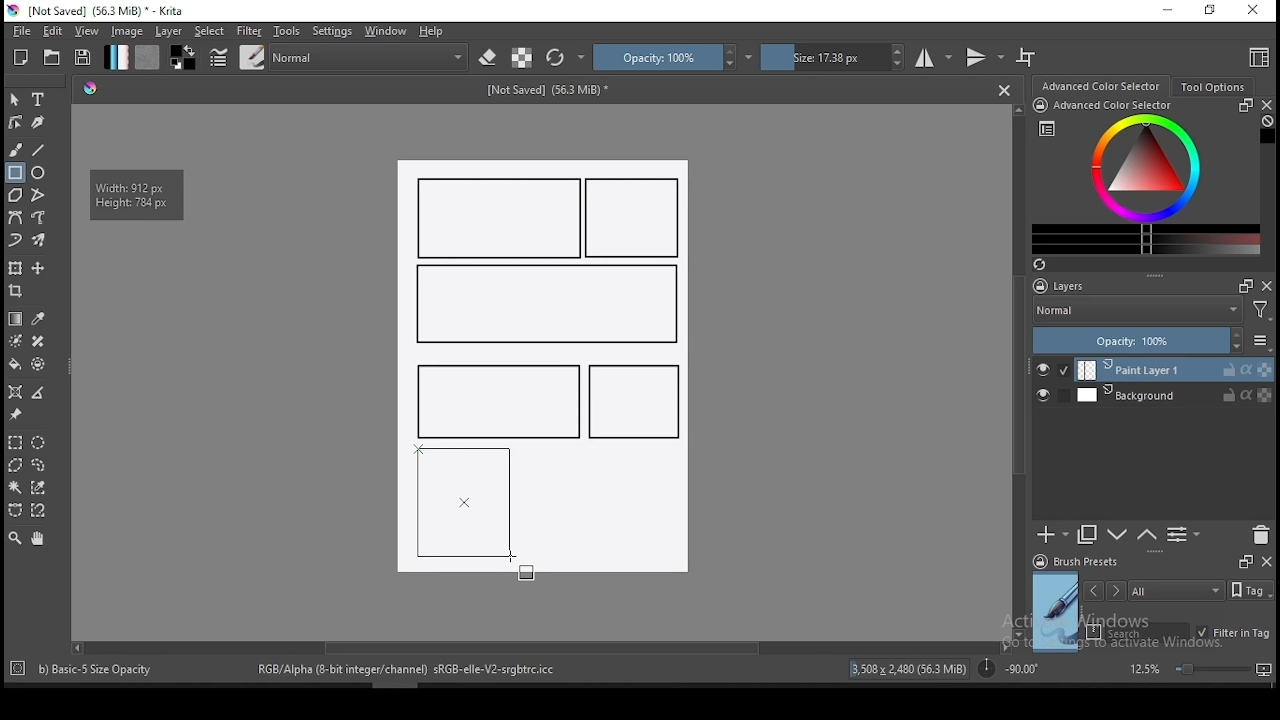  Describe the element at coordinates (36, 510) in the screenshot. I see `magnetic curve selection tool` at that location.